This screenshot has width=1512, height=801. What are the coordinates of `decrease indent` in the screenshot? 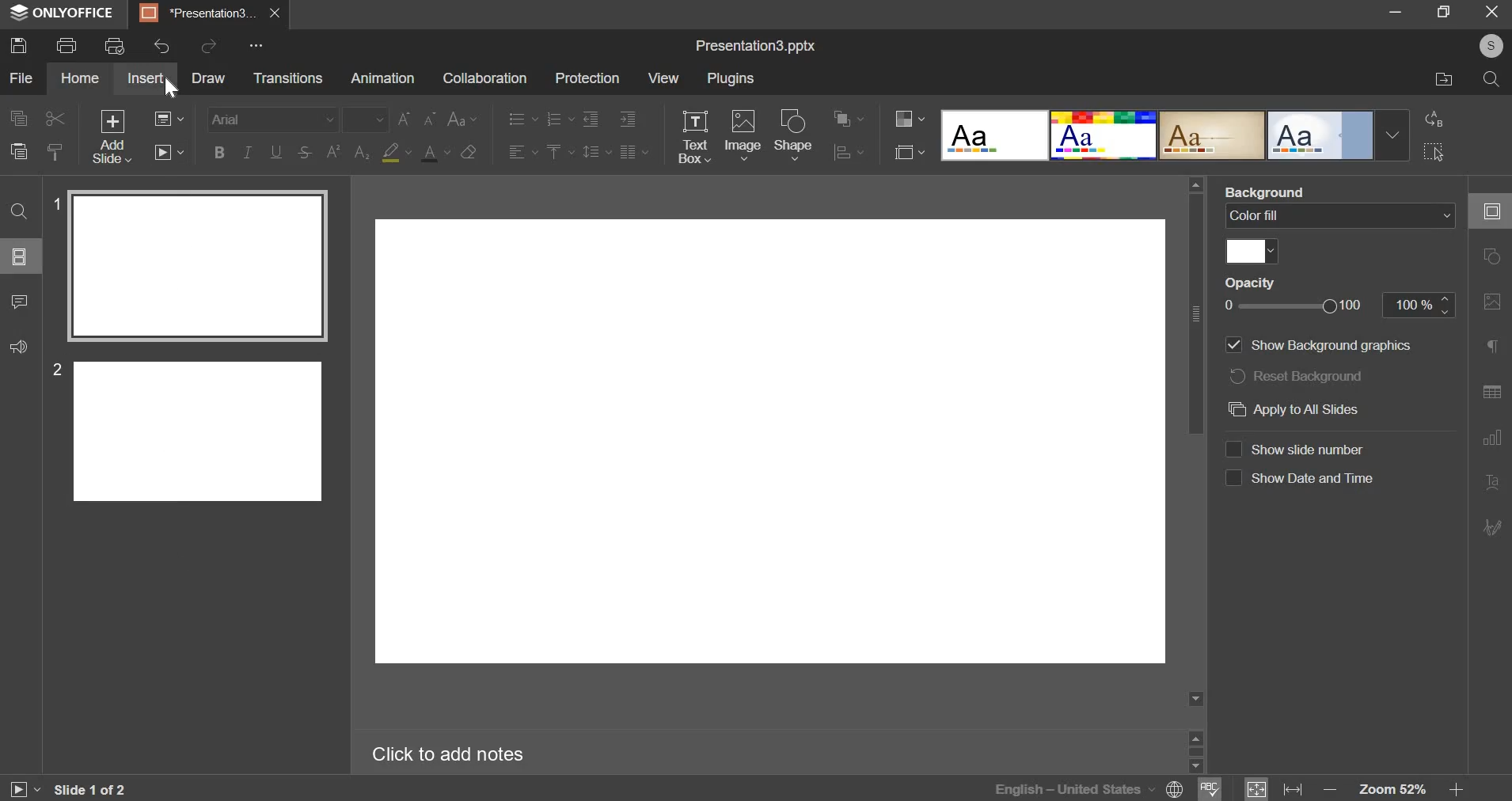 It's located at (590, 119).